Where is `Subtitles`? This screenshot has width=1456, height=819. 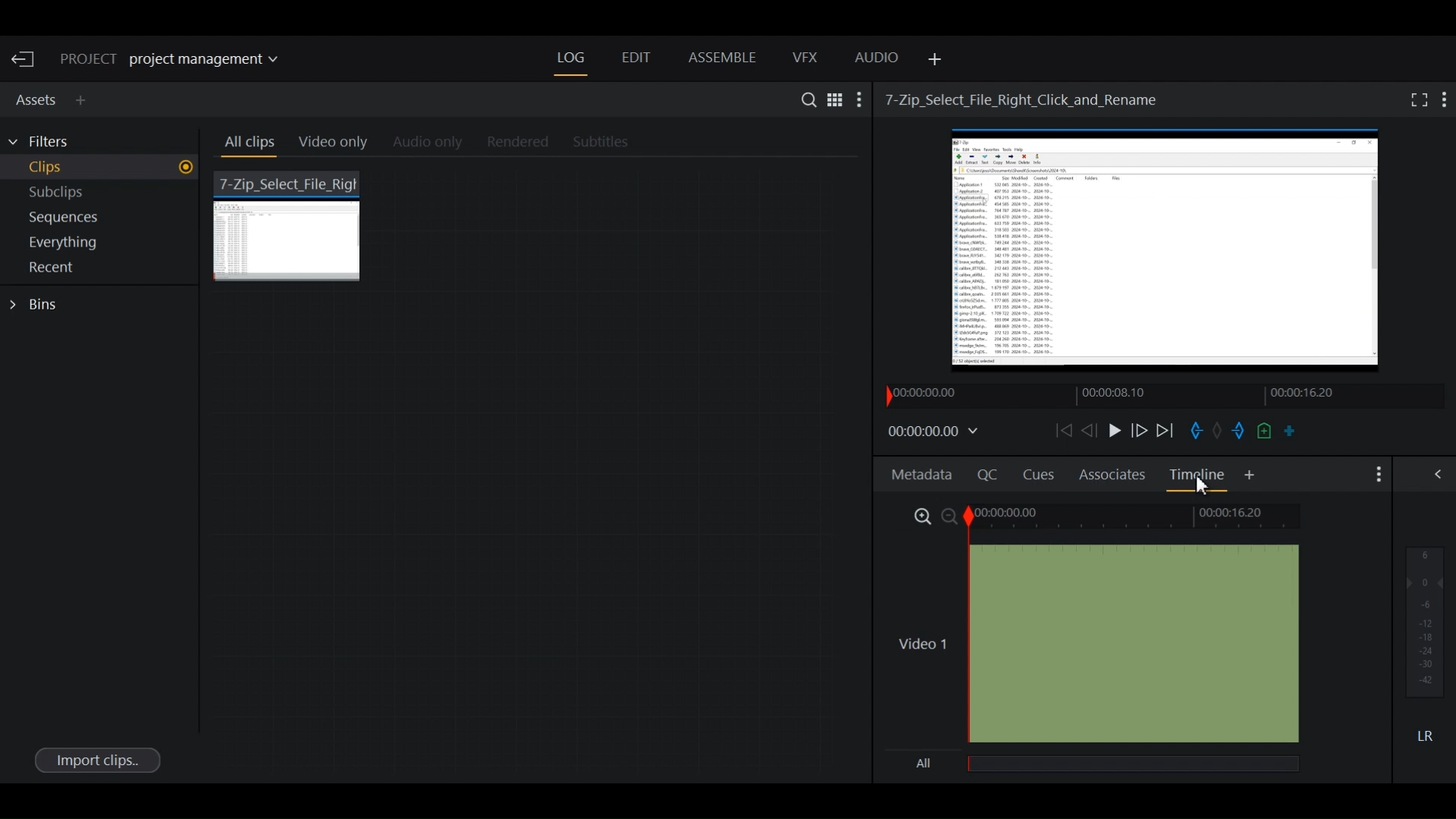 Subtitles is located at coordinates (610, 143).